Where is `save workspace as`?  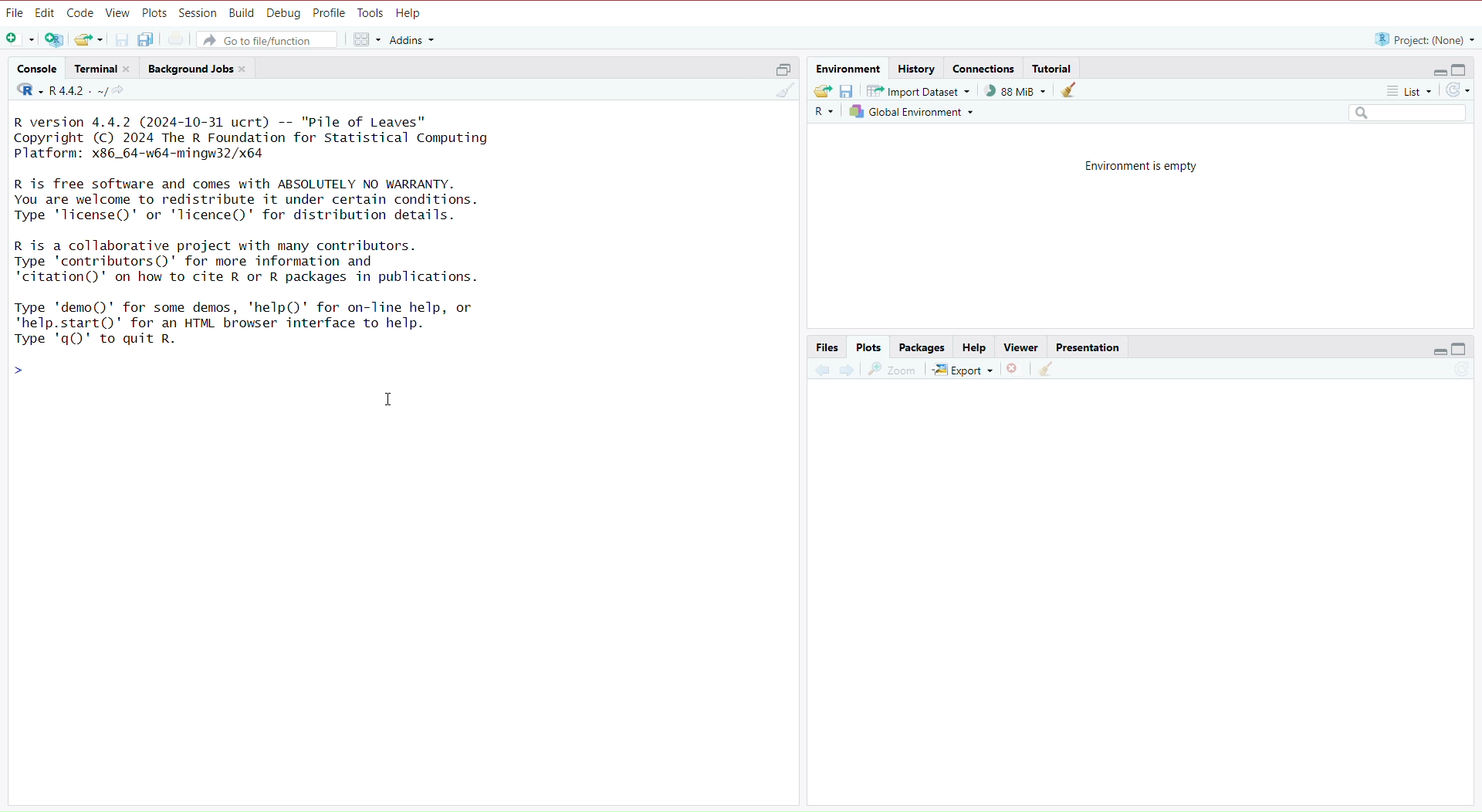
save workspace as is located at coordinates (851, 92).